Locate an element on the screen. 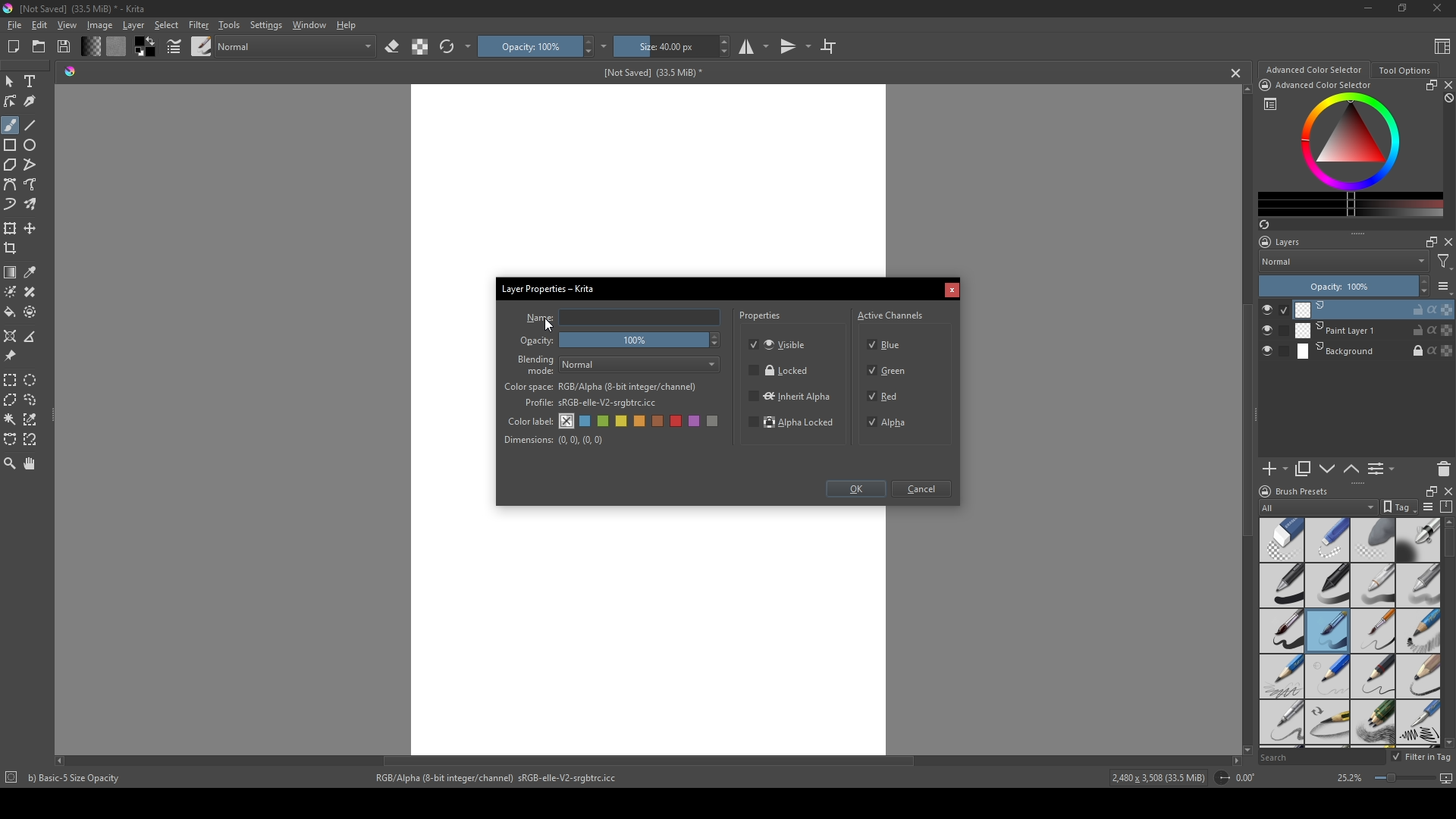 This screenshot has height=819, width=1456. [Not Saved] (33.5 MiB) is located at coordinates (650, 73).